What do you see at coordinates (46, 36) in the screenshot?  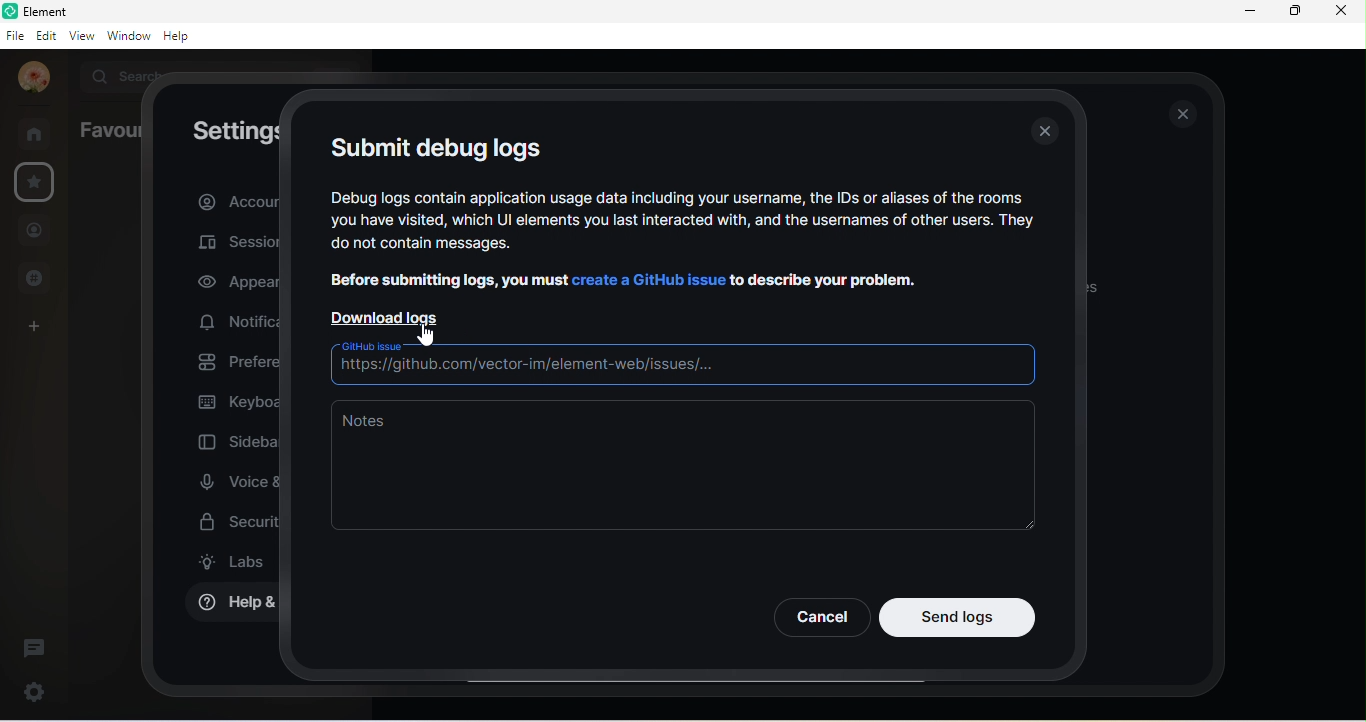 I see `edit` at bounding box center [46, 36].